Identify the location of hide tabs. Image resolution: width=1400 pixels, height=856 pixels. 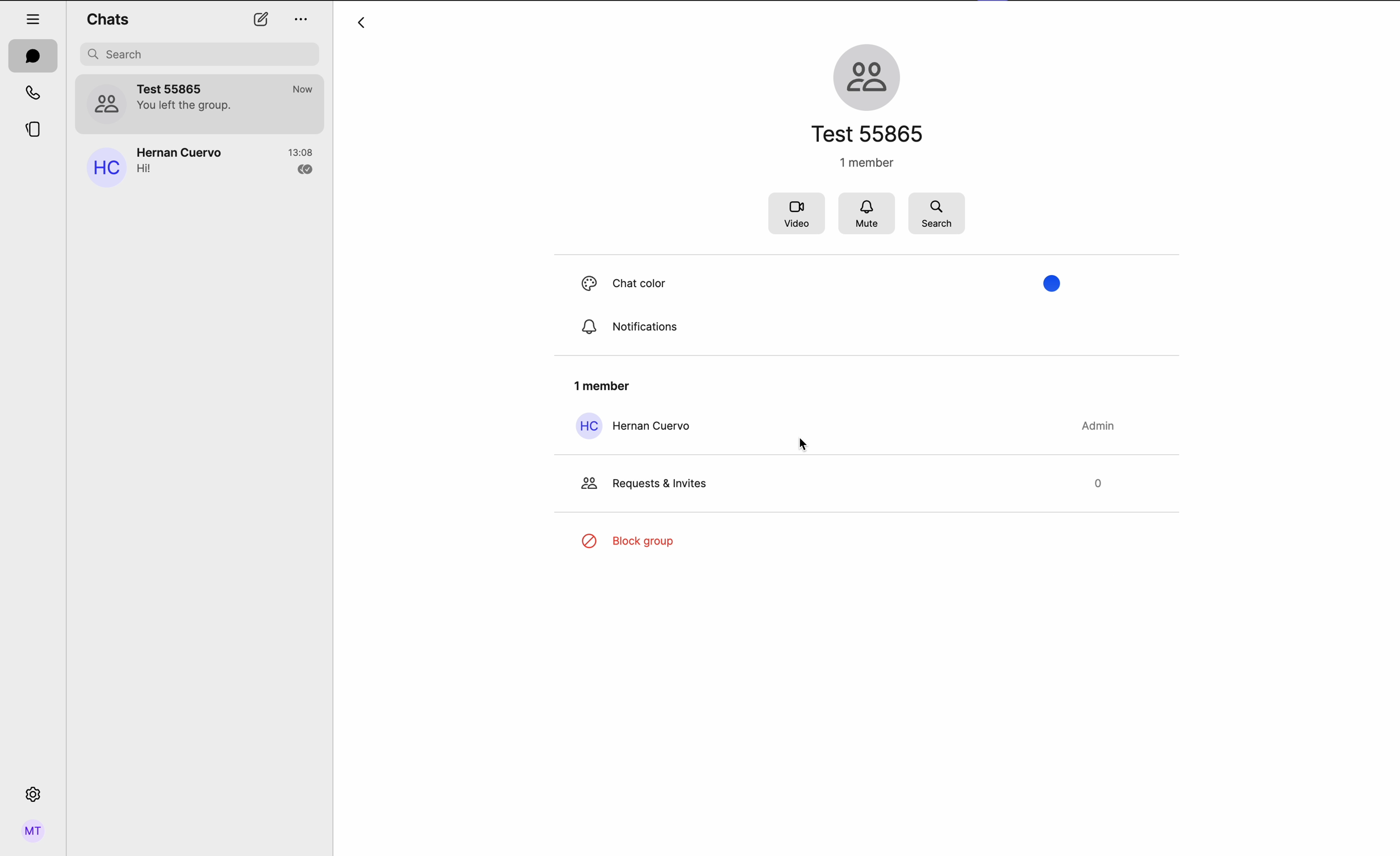
(33, 18).